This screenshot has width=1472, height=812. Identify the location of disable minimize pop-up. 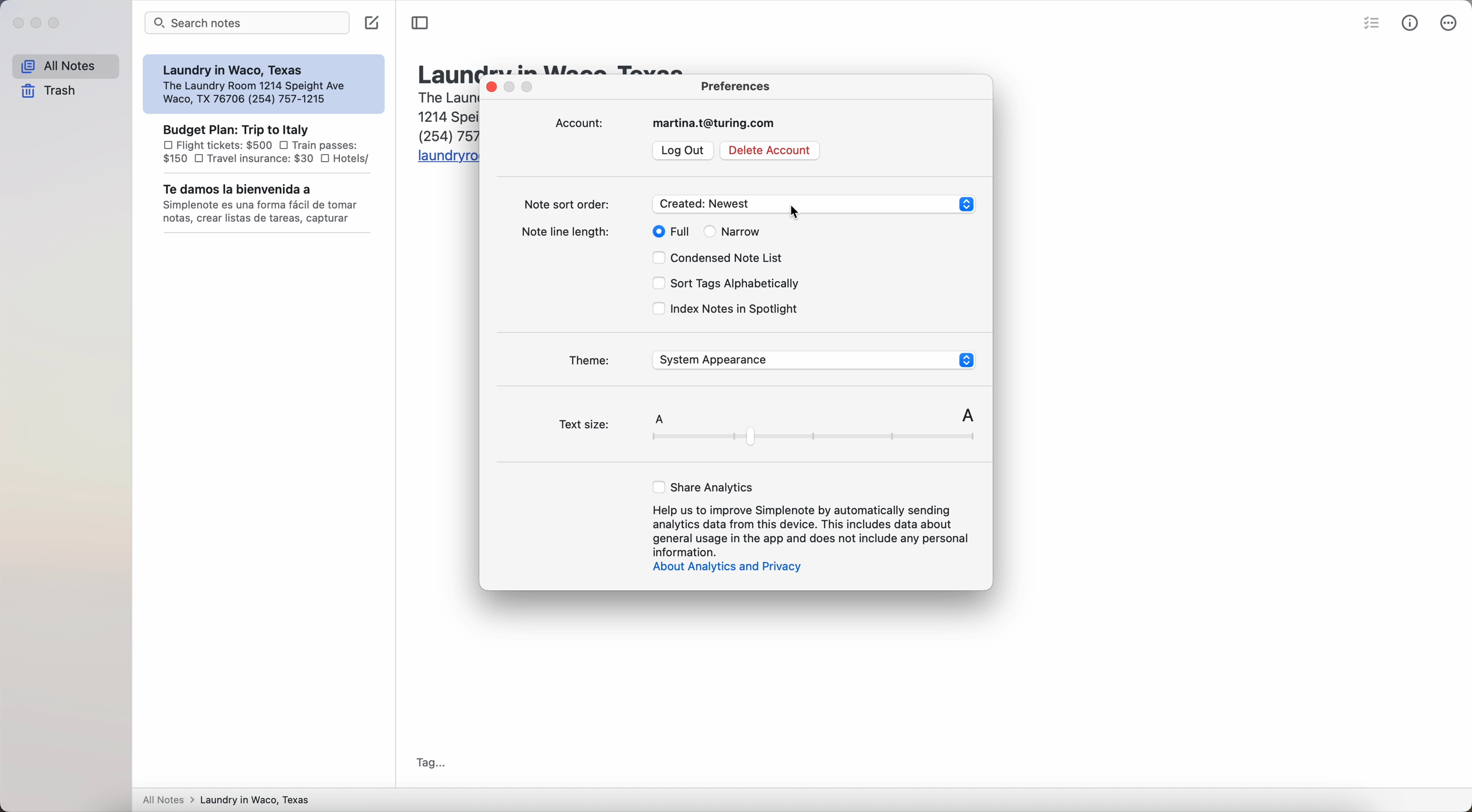
(513, 87).